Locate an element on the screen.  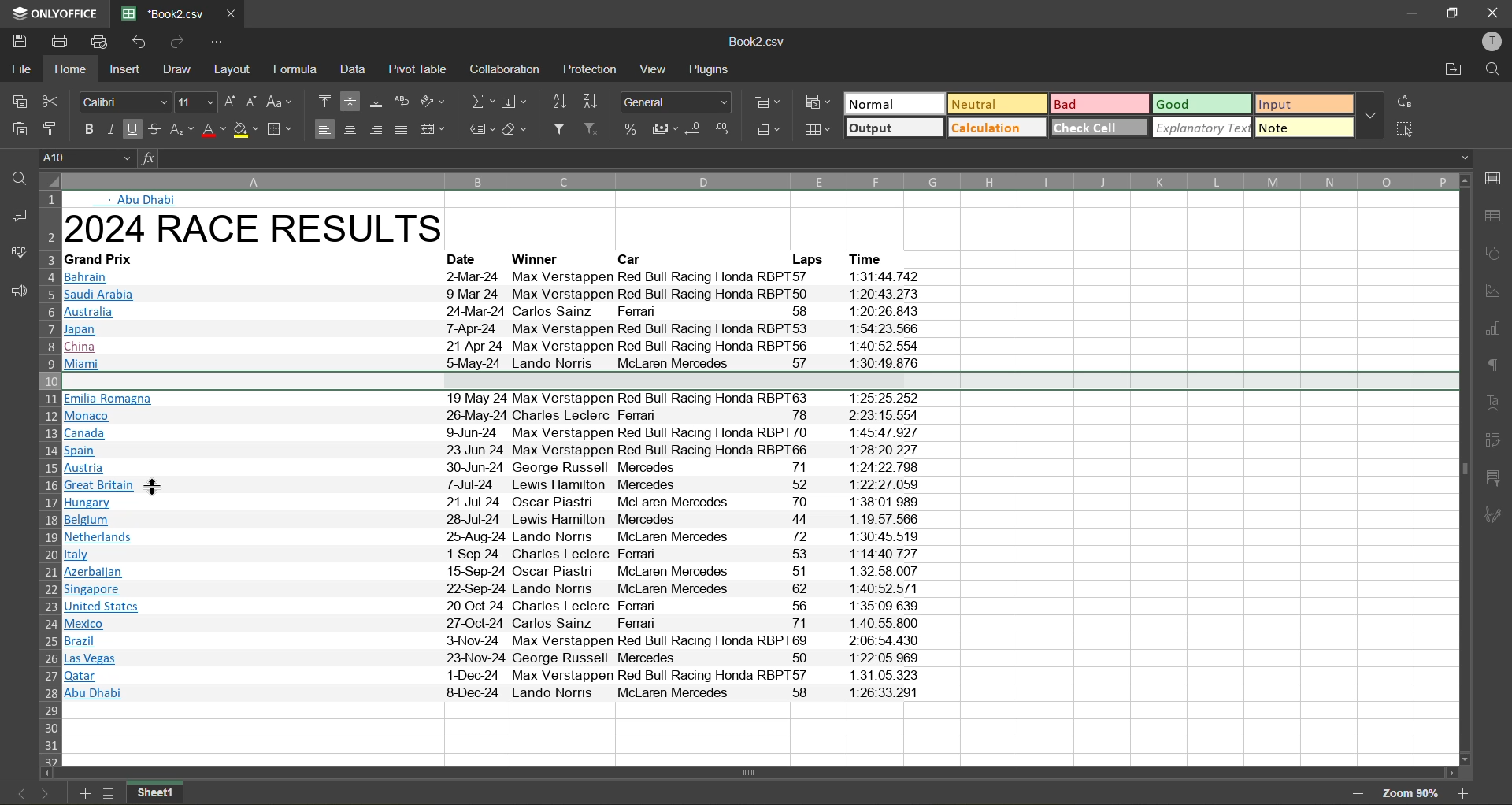
Date is located at coordinates (467, 258).